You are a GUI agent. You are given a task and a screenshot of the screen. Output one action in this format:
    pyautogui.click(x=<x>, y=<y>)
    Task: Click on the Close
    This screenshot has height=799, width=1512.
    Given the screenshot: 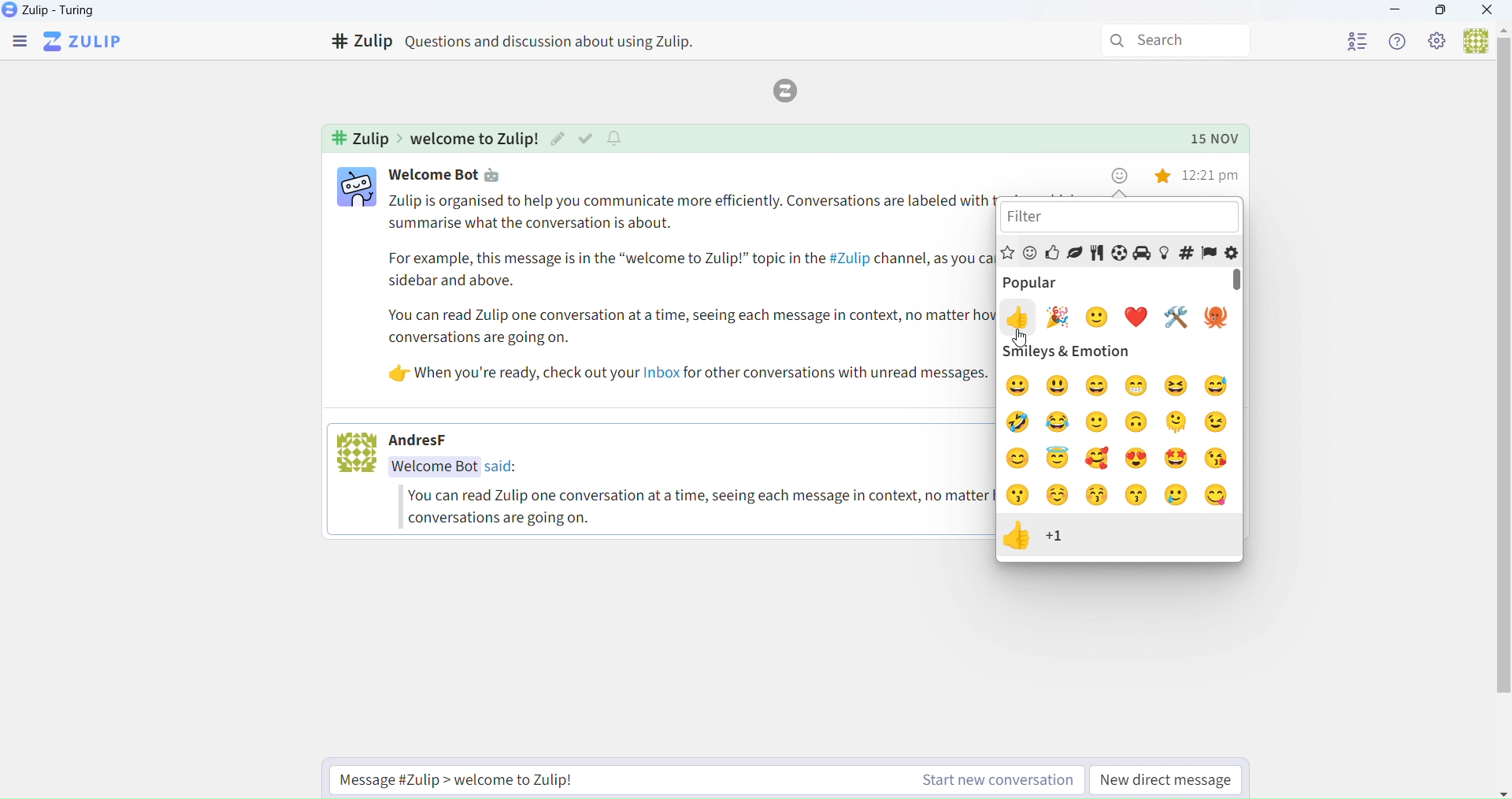 What is the action you would take?
    pyautogui.click(x=1488, y=11)
    